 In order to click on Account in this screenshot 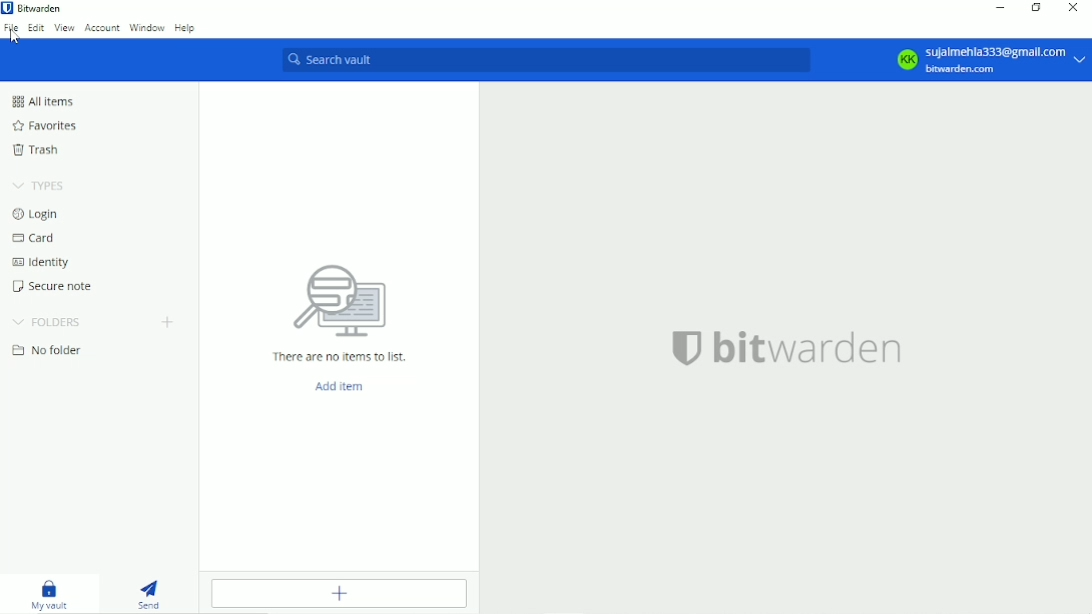, I will do `click(103, 29)`.